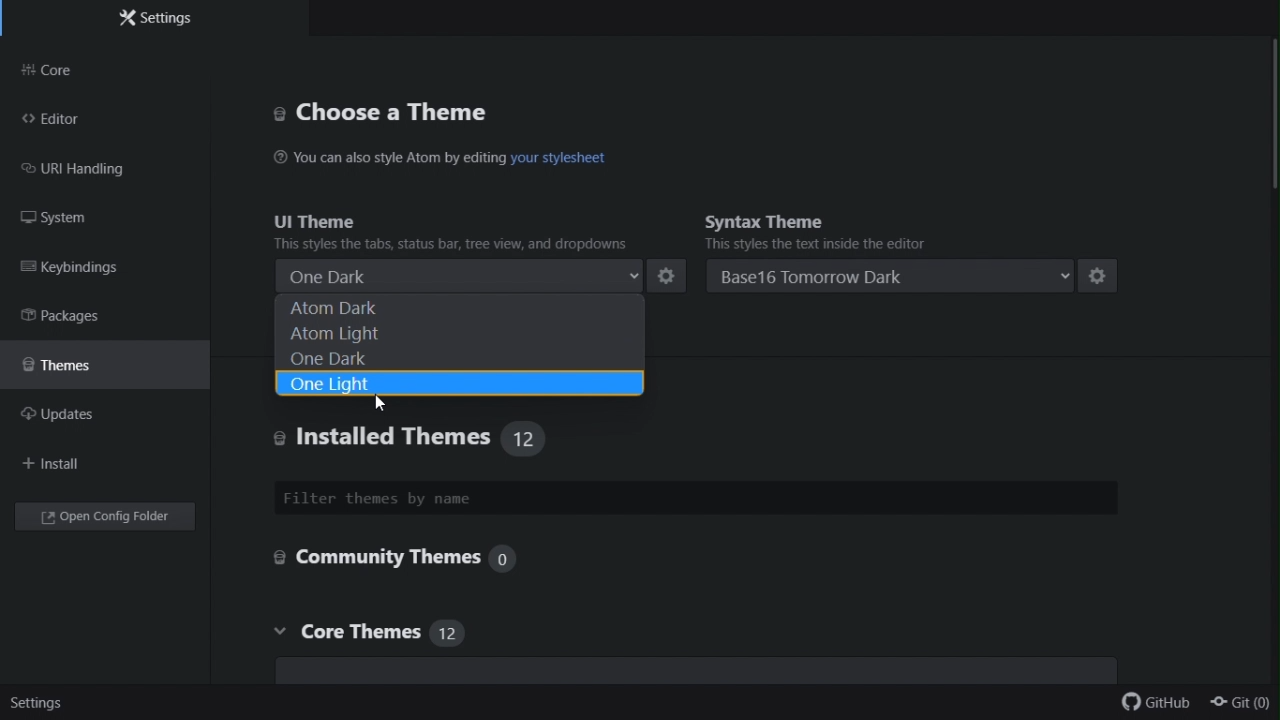 The image size is (1280, 720). Describe the element at coordinates (381, 403) in the screenshot. I see `cursor` at that location.